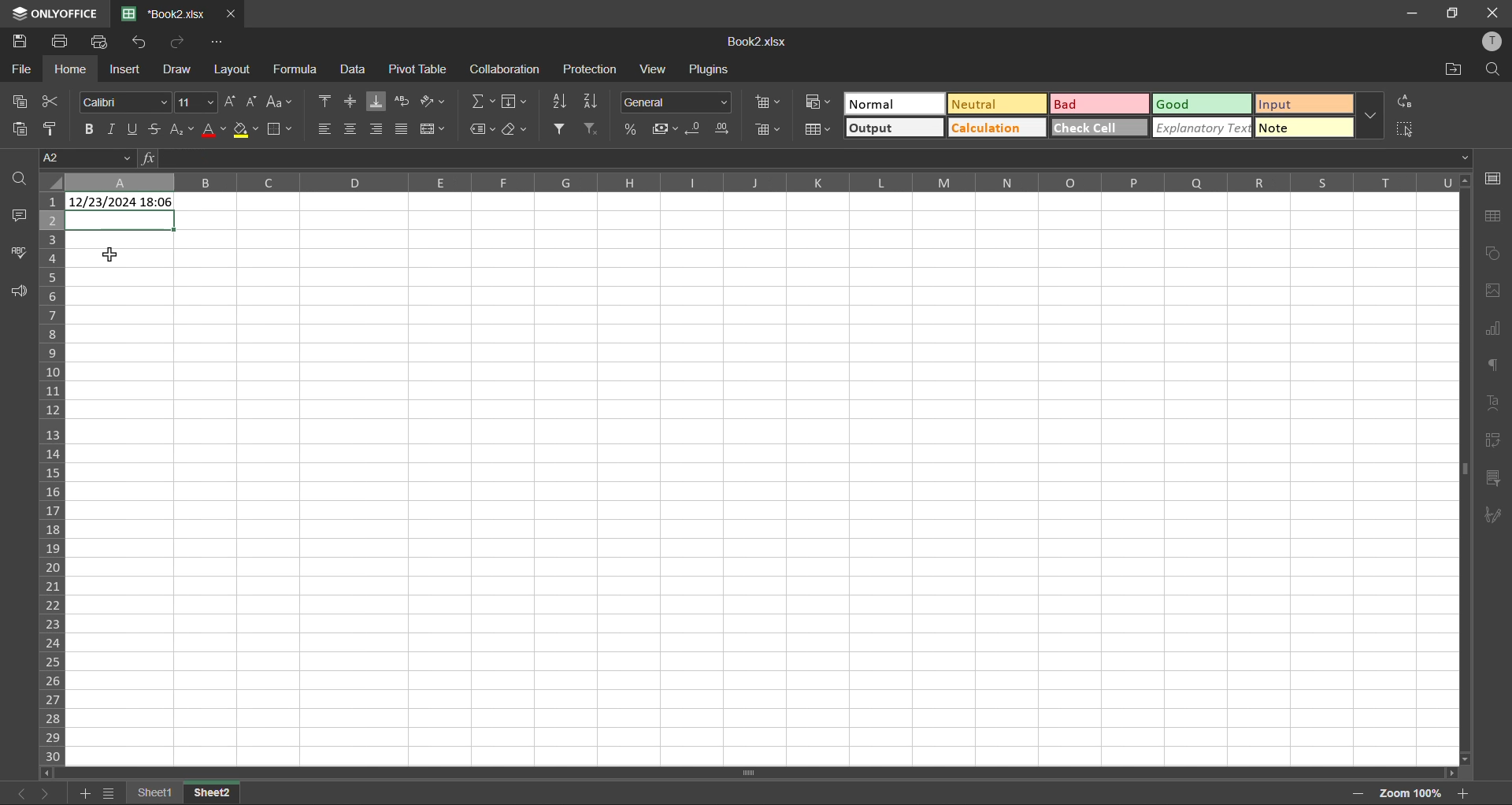 Image resolution: width=1512 pixels, height=805 pixels. I want to click on check cell, so click(1098, 128).